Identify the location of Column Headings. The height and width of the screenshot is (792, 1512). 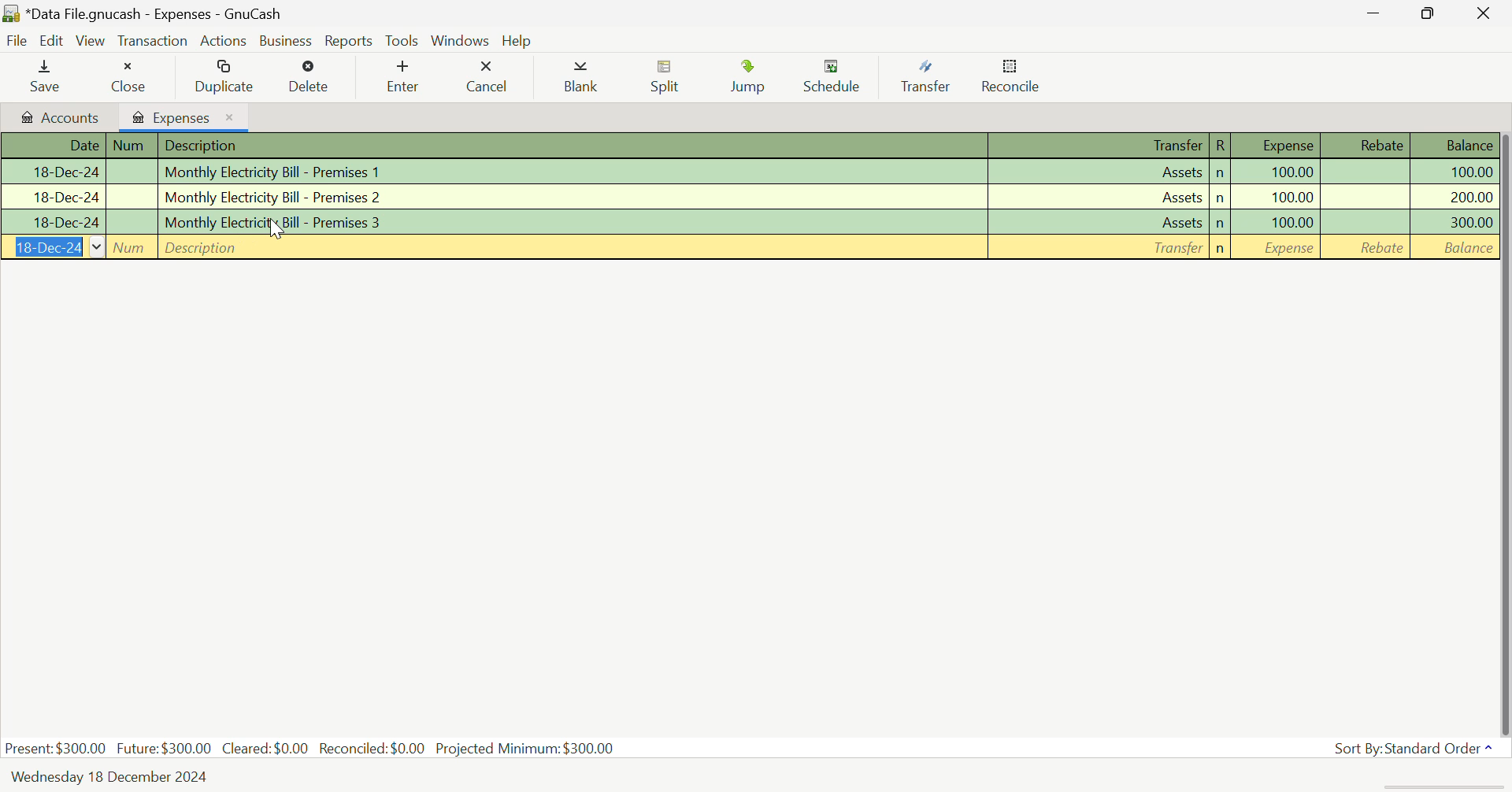
(747, 146).